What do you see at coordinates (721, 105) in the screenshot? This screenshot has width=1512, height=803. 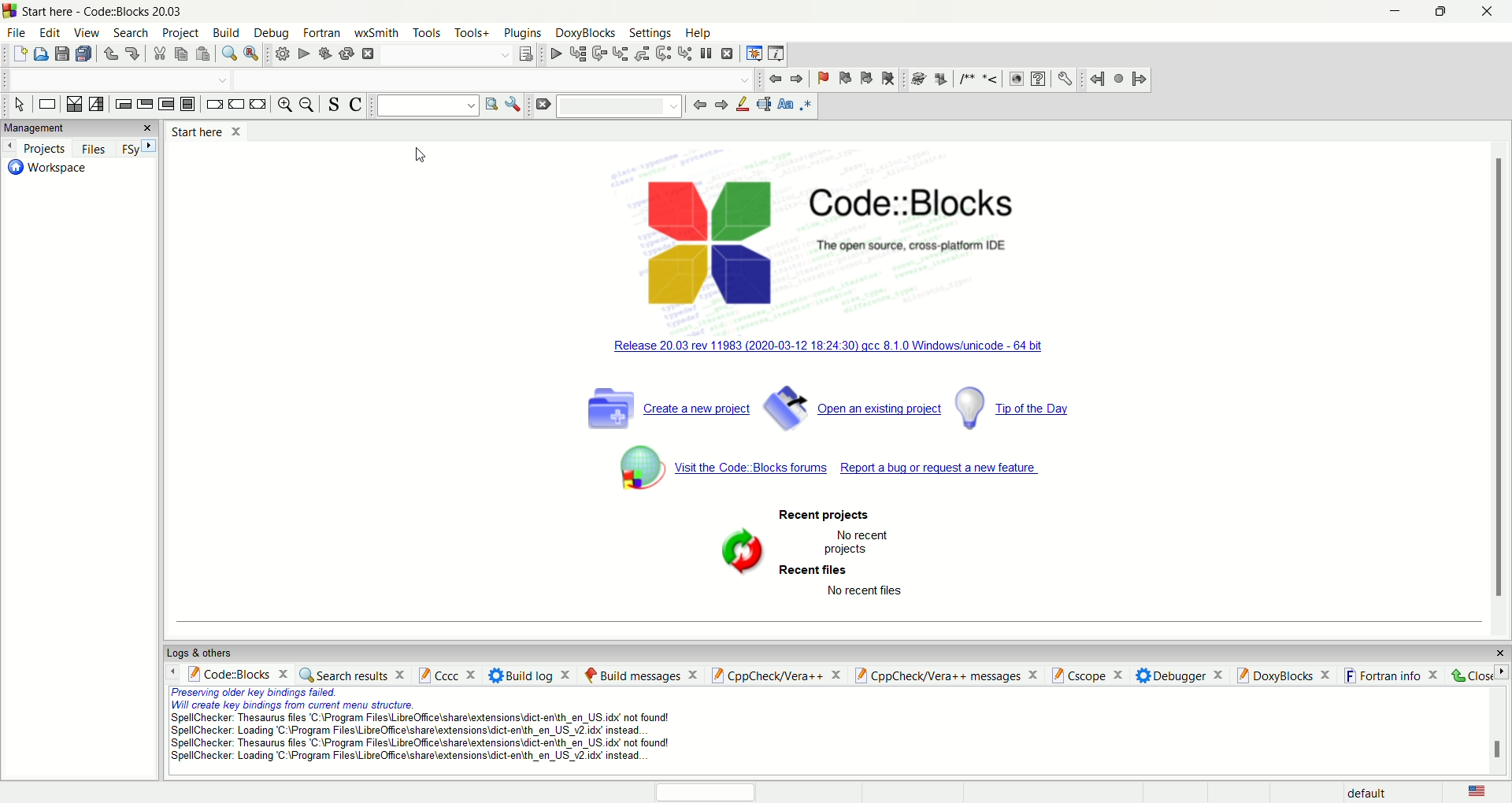 I see `next` at bounding box center [721, 105].